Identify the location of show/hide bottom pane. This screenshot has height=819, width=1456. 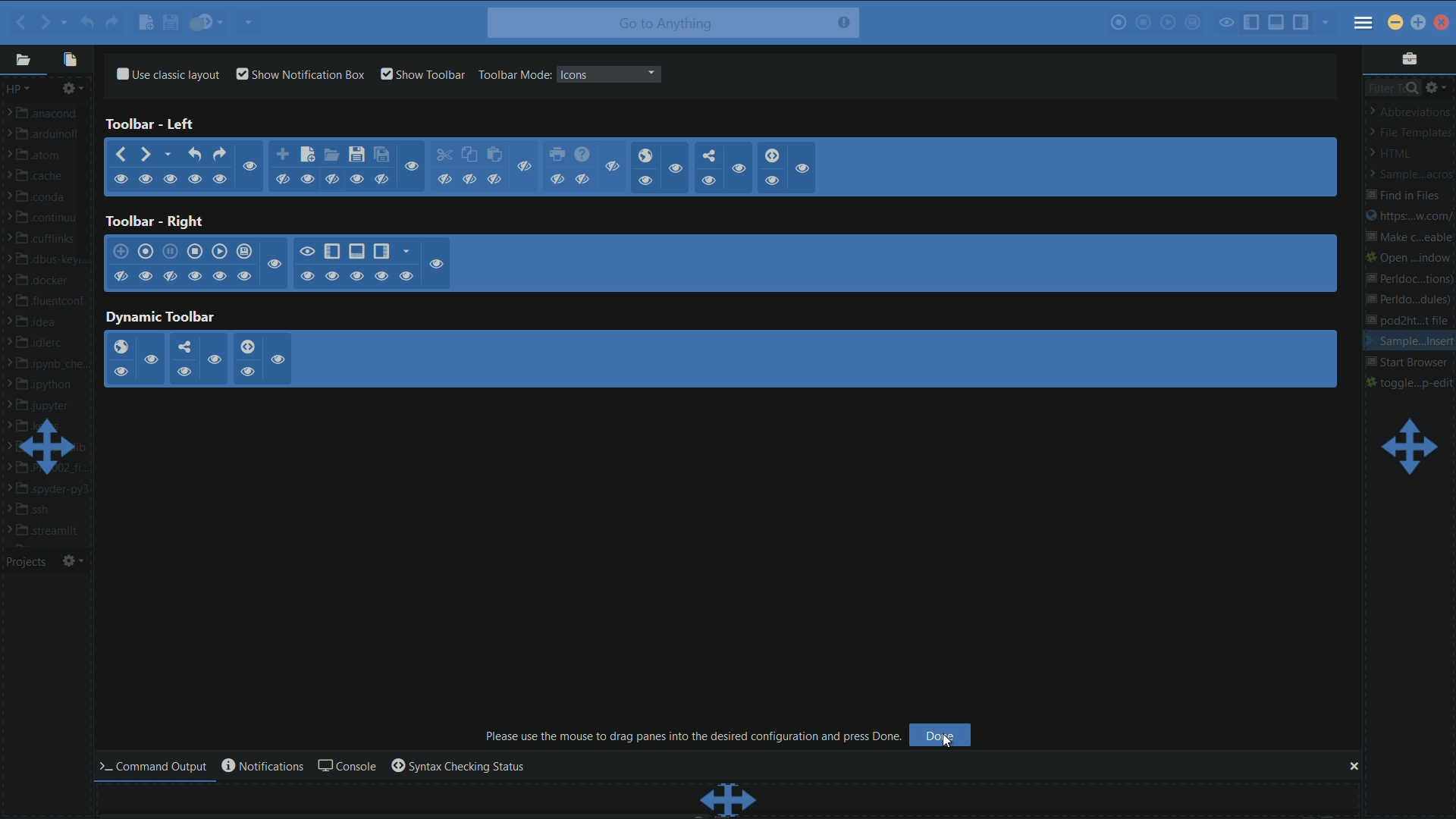
(1277, 22).